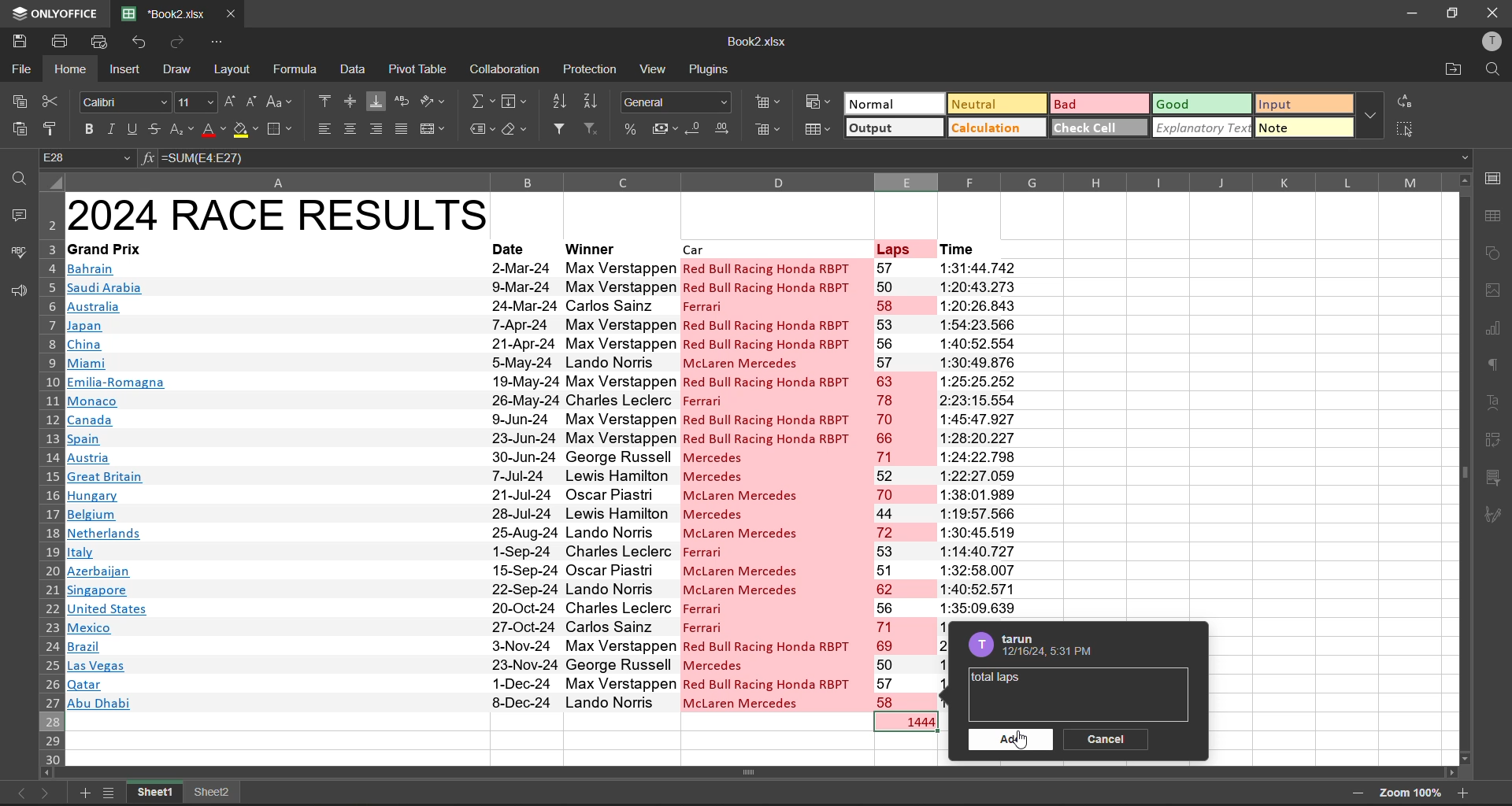 Image resolution: width=1512 pixels, height=806 pixels. What do you see at coordinates (760, 43) in the screenshot?
I see `filename` at bounding box center [760, 43].